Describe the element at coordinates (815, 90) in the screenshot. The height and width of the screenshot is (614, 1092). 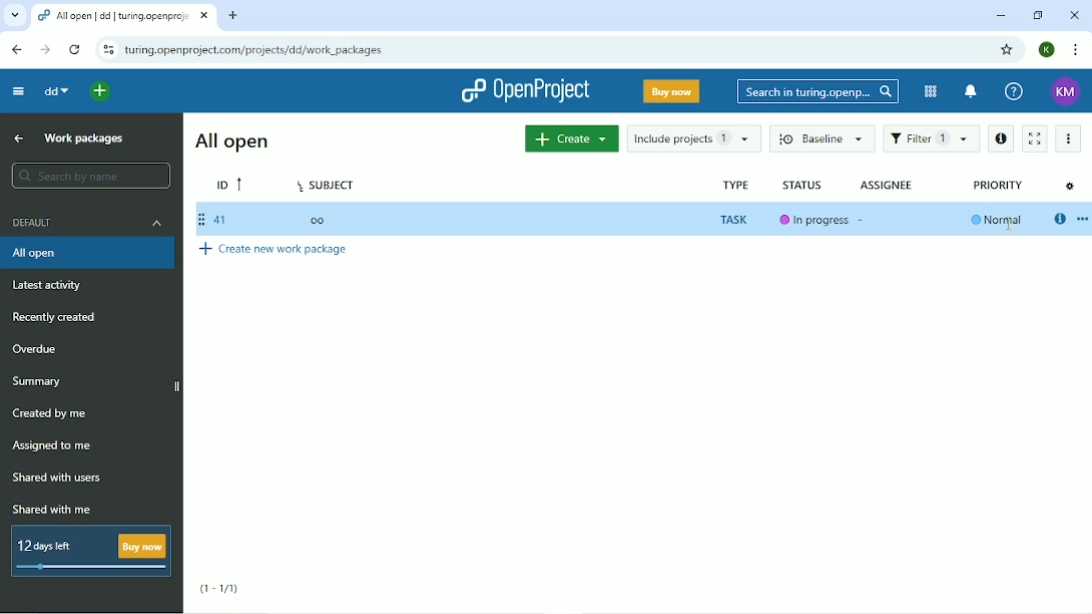
I see `Search` at that location.